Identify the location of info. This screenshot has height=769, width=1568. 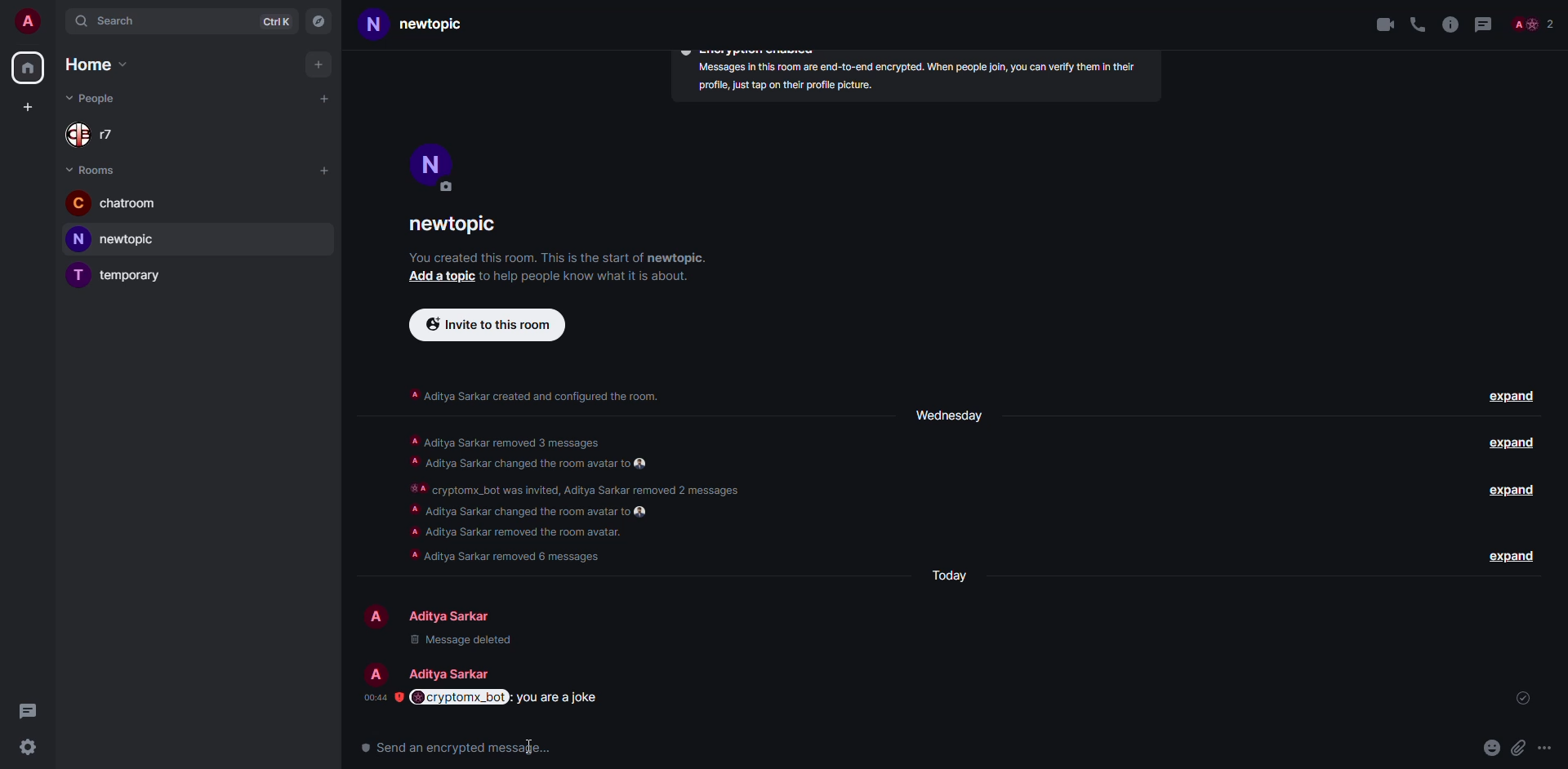
(911, 79).